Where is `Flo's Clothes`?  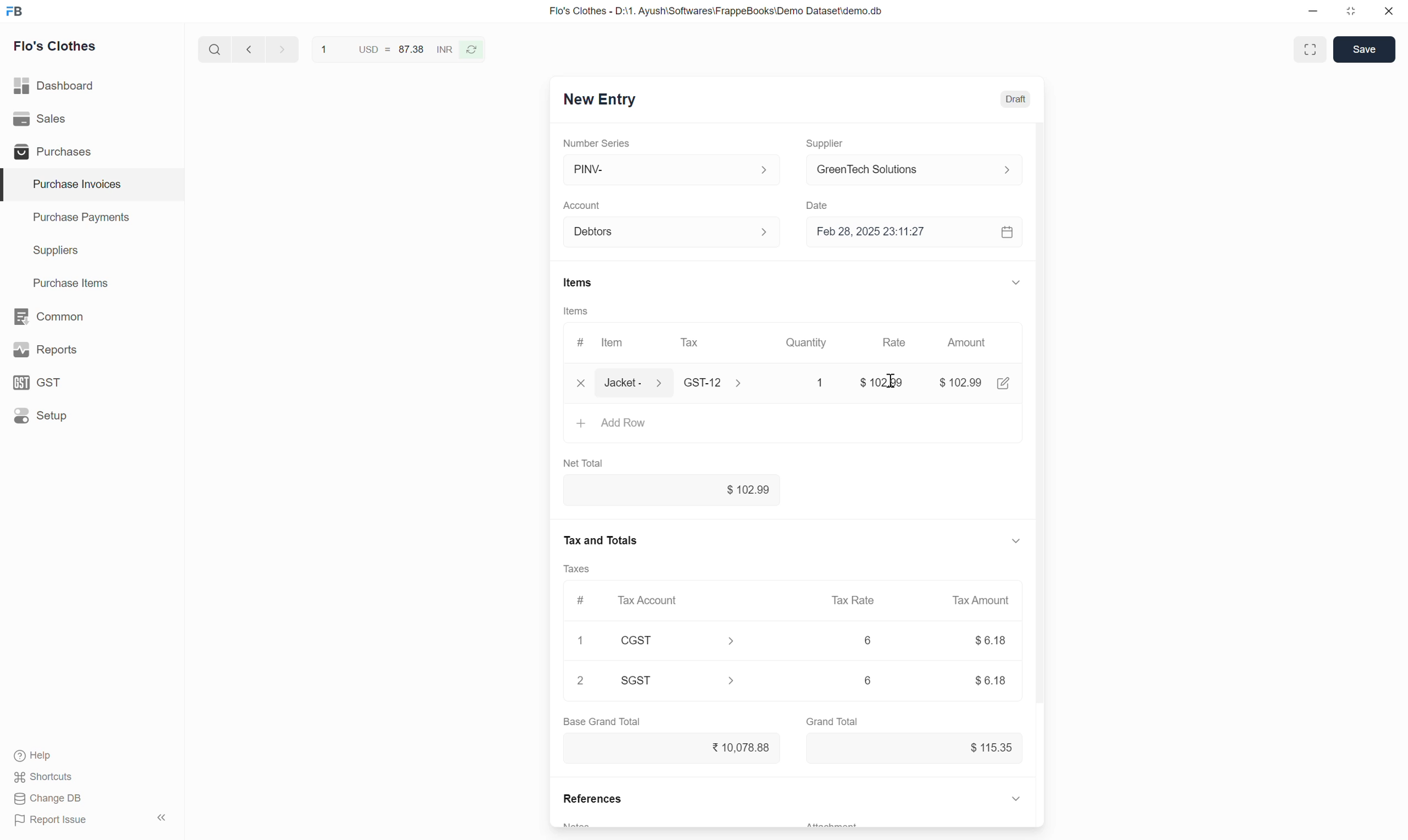
Flo's Clothes is located at coordinates (55, 46).